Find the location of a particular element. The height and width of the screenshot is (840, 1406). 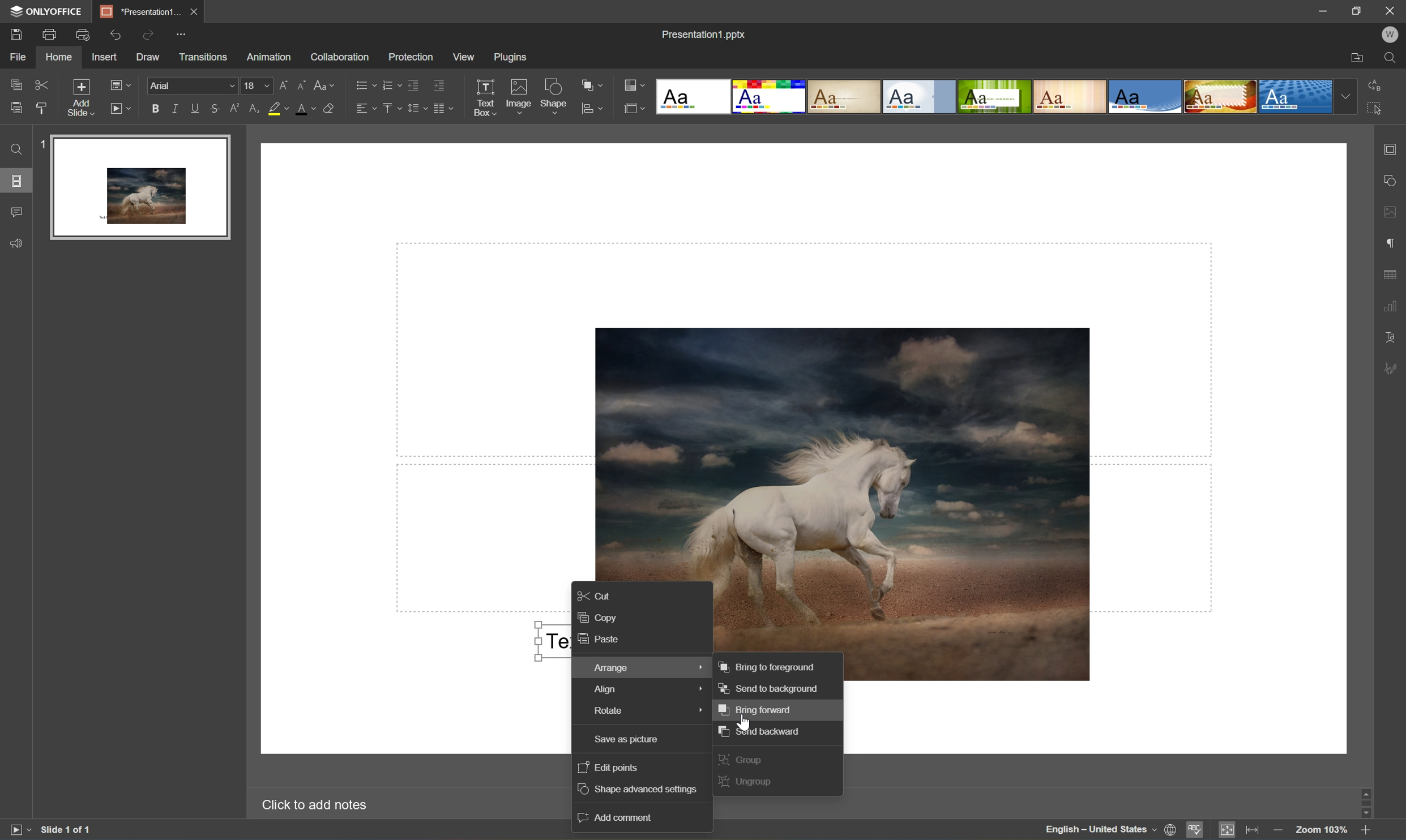

Change slide Layout is located at coordinates (119, 87).